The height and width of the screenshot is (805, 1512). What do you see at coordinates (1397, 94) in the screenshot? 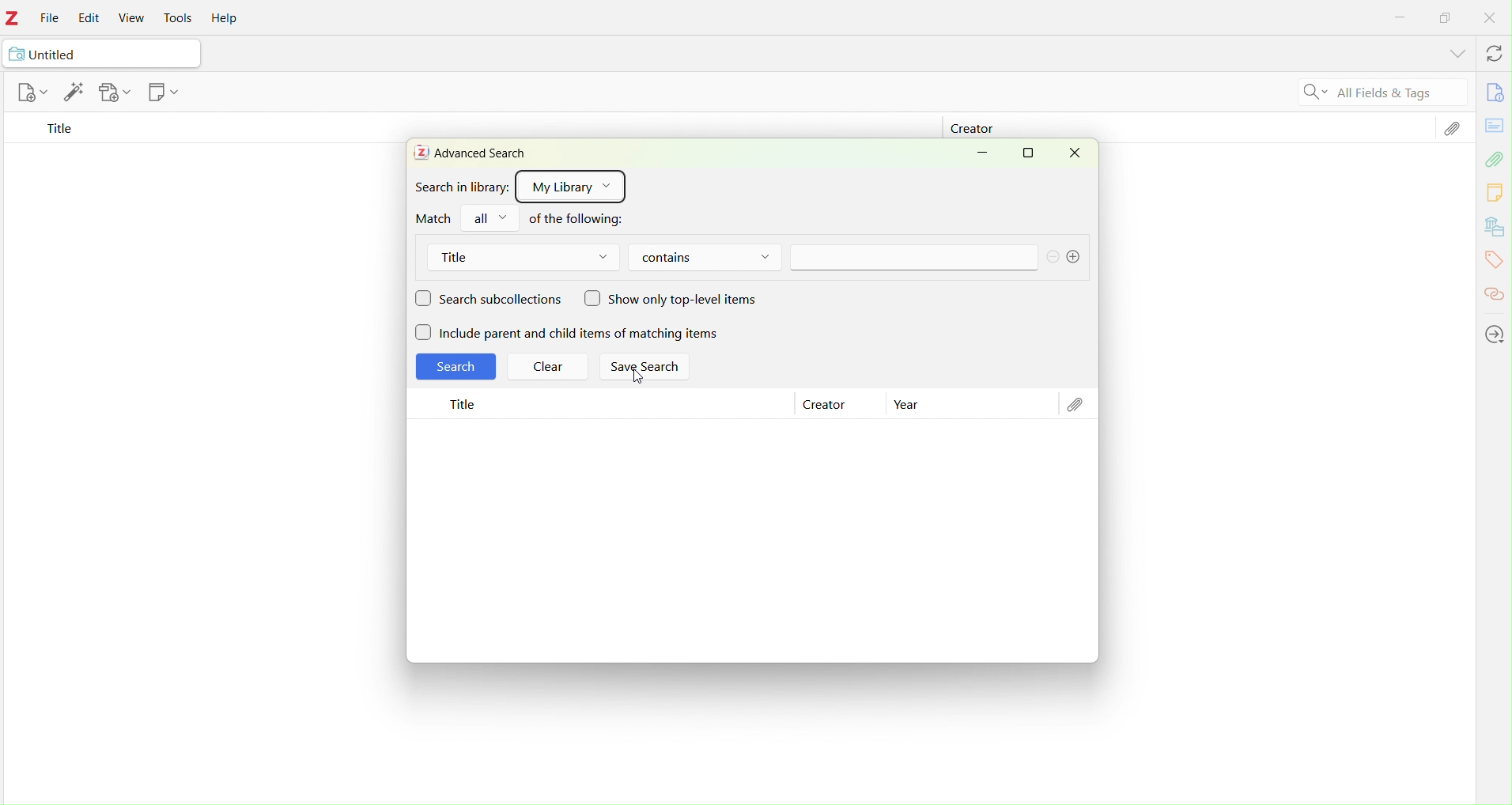
I see `Fields and tags` at bounding box center [1397, 94].